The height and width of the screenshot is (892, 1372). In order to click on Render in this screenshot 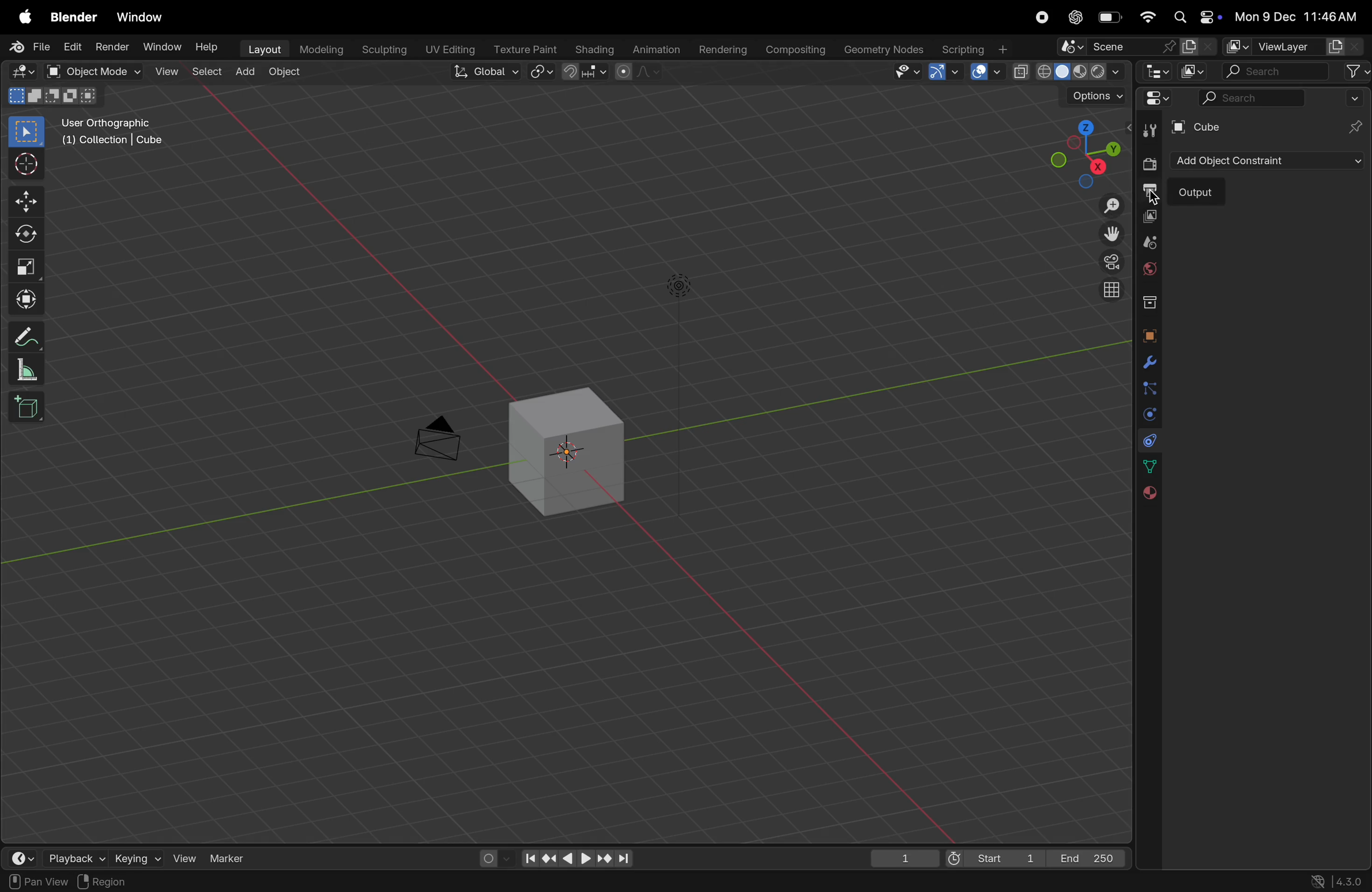, I will do `click(114, 46)`.